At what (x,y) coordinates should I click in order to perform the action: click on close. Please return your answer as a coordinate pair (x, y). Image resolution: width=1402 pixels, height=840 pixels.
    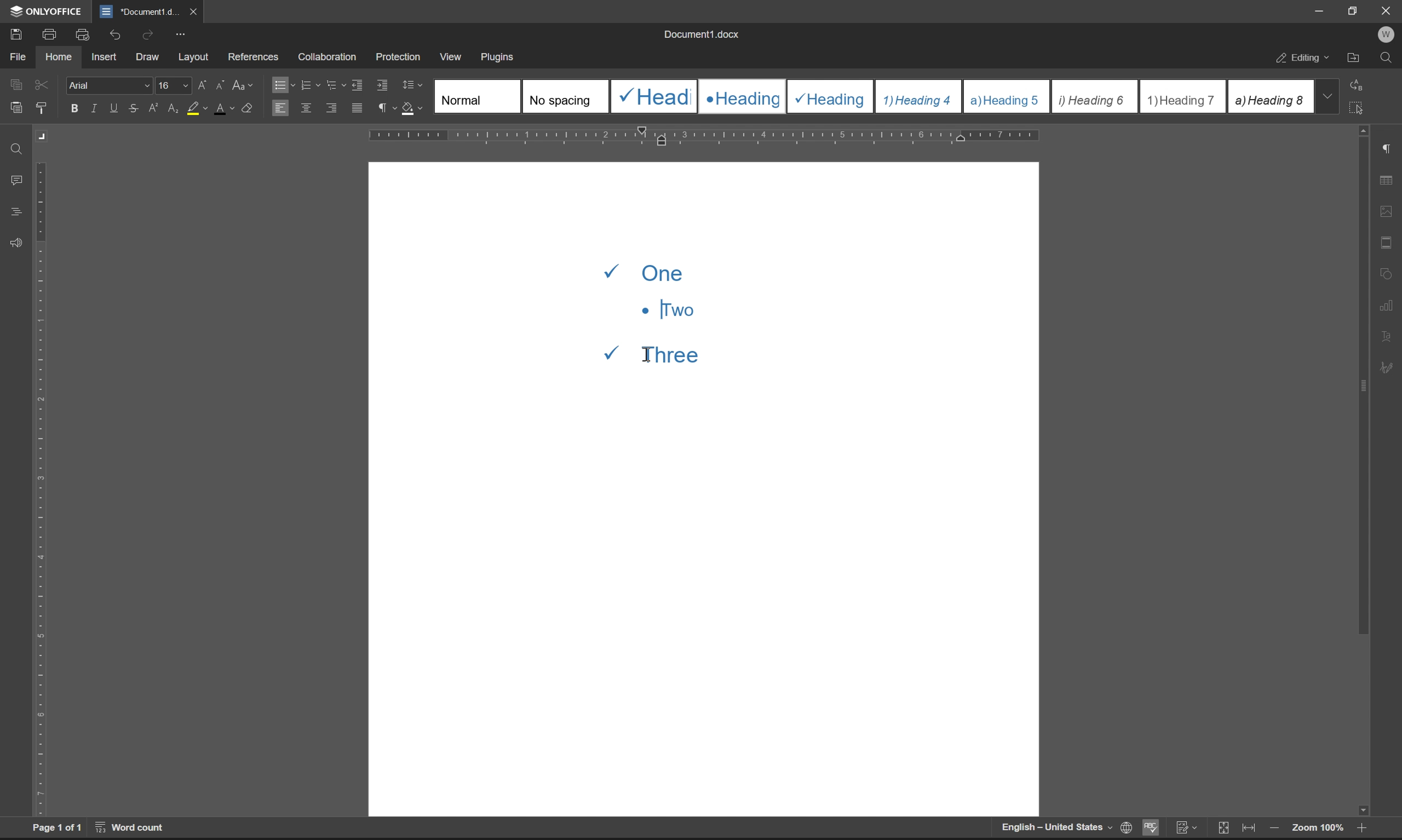
    Looking at the image, I should click on (192, 11).